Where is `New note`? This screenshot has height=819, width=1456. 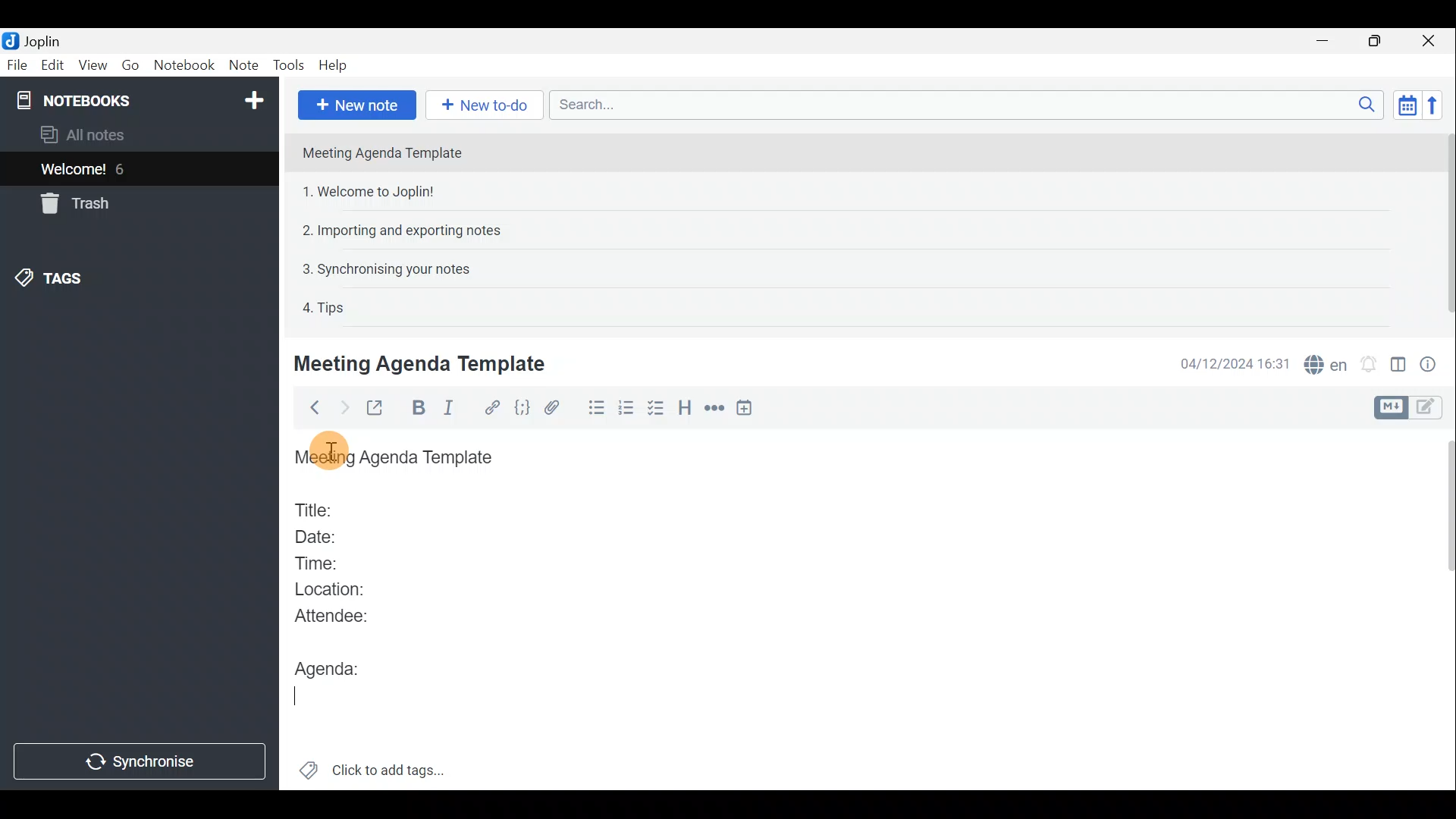 New note is located at coordinates (357, 105).